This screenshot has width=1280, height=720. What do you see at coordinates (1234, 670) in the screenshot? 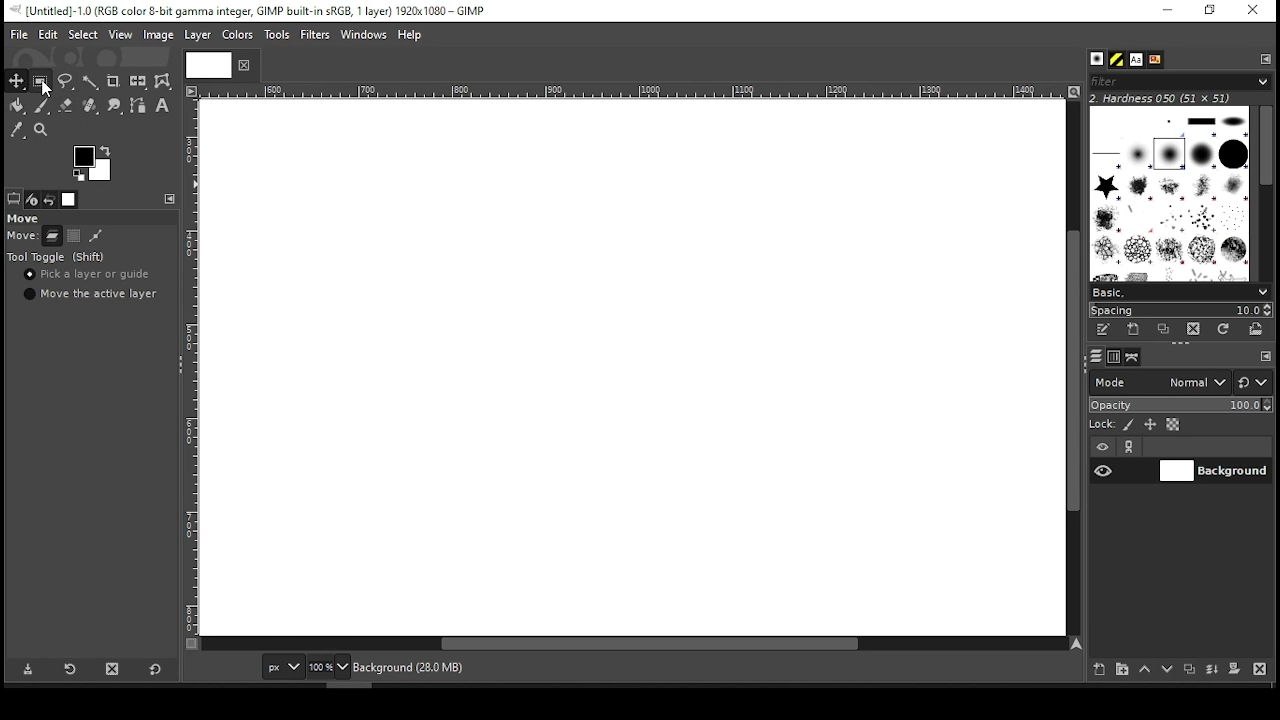
I see `mask  layer` at bounding box center [1234, 670].